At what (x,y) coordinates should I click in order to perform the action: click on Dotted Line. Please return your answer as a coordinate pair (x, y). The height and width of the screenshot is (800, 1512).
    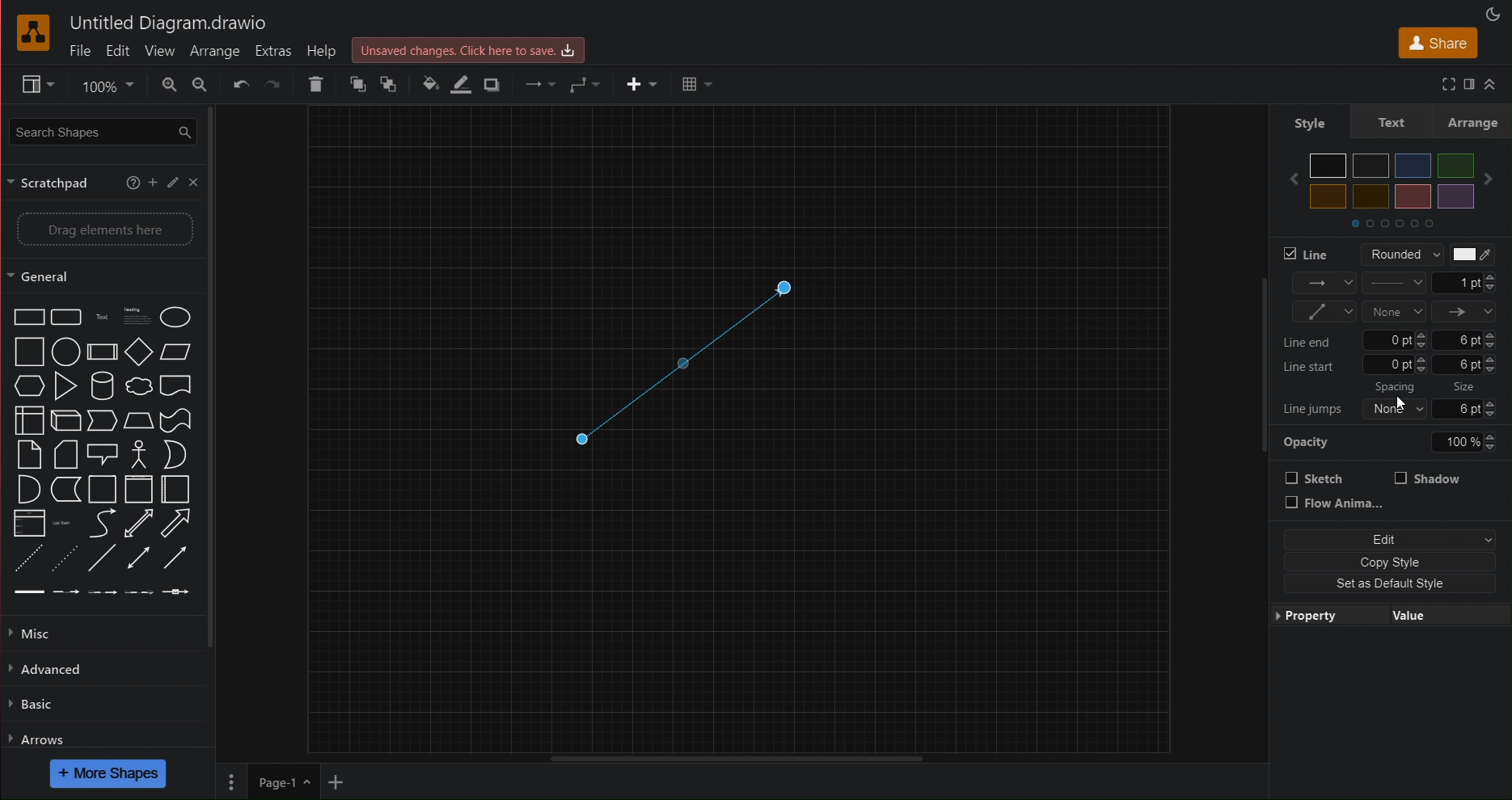
    Looking at the image, I should click on (684, 357).